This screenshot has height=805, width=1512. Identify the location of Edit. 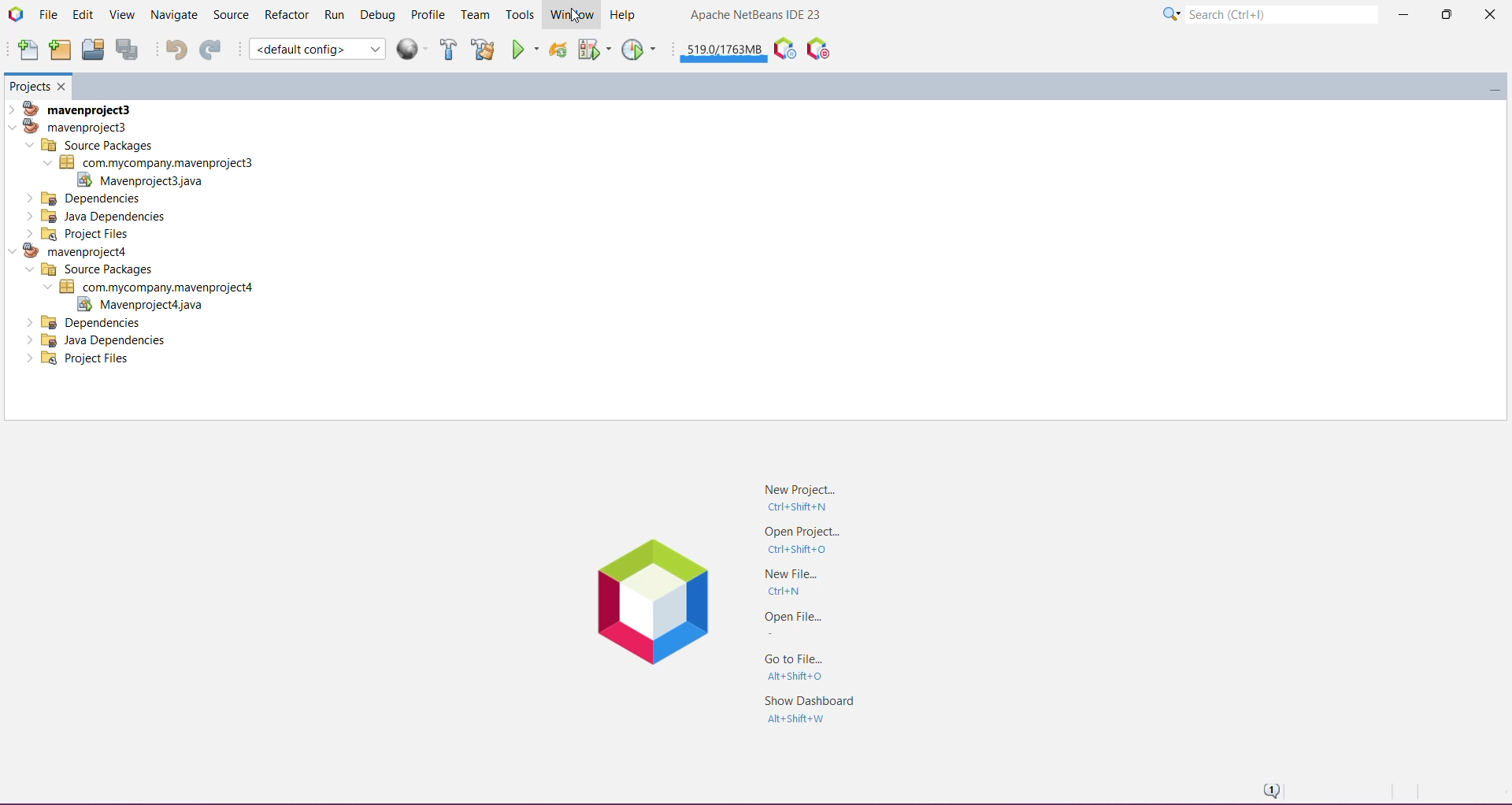
(82, 16).